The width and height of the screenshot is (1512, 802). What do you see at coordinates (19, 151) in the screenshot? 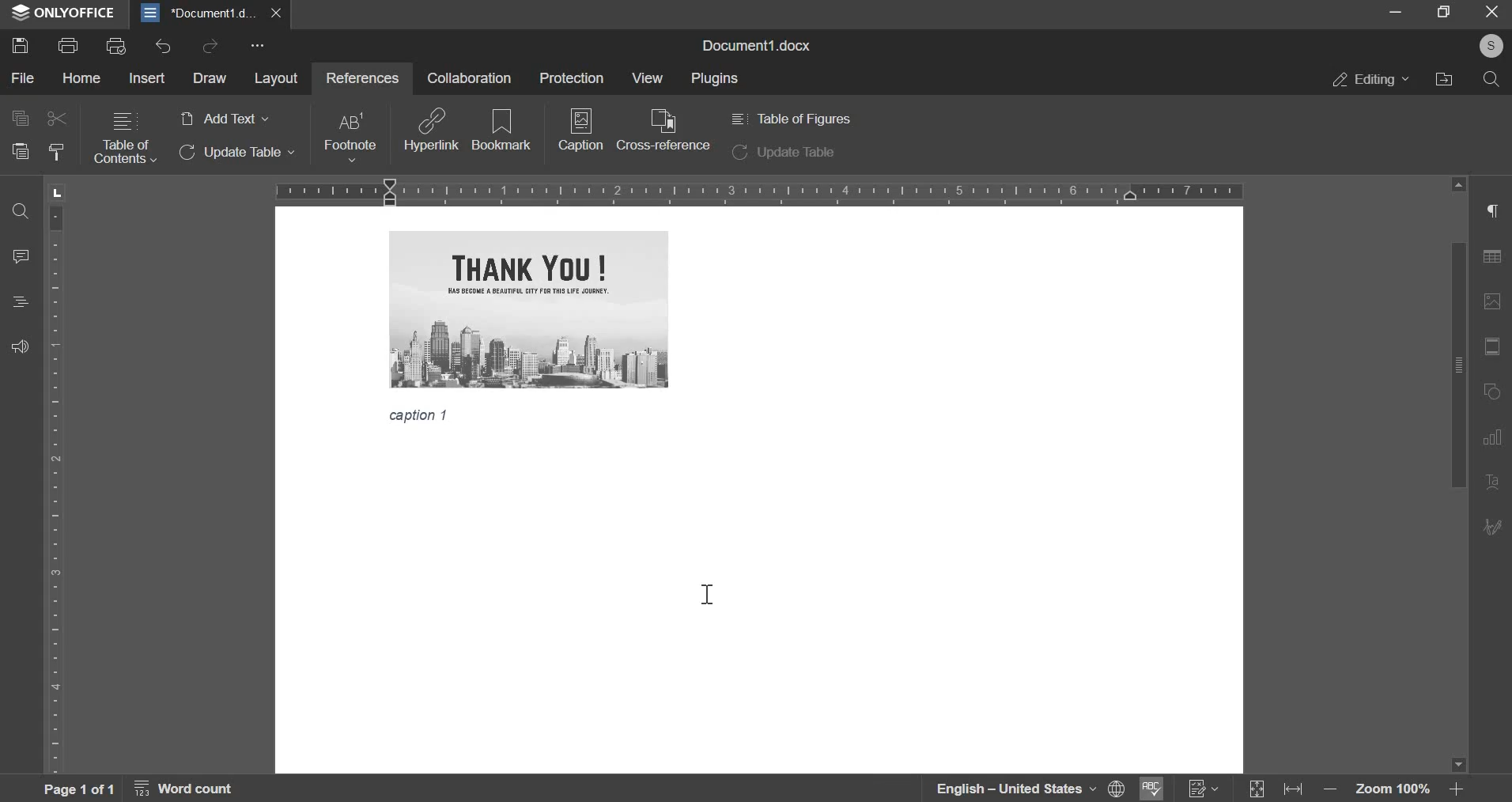
I see `paste` at bounding box center [19, 151].